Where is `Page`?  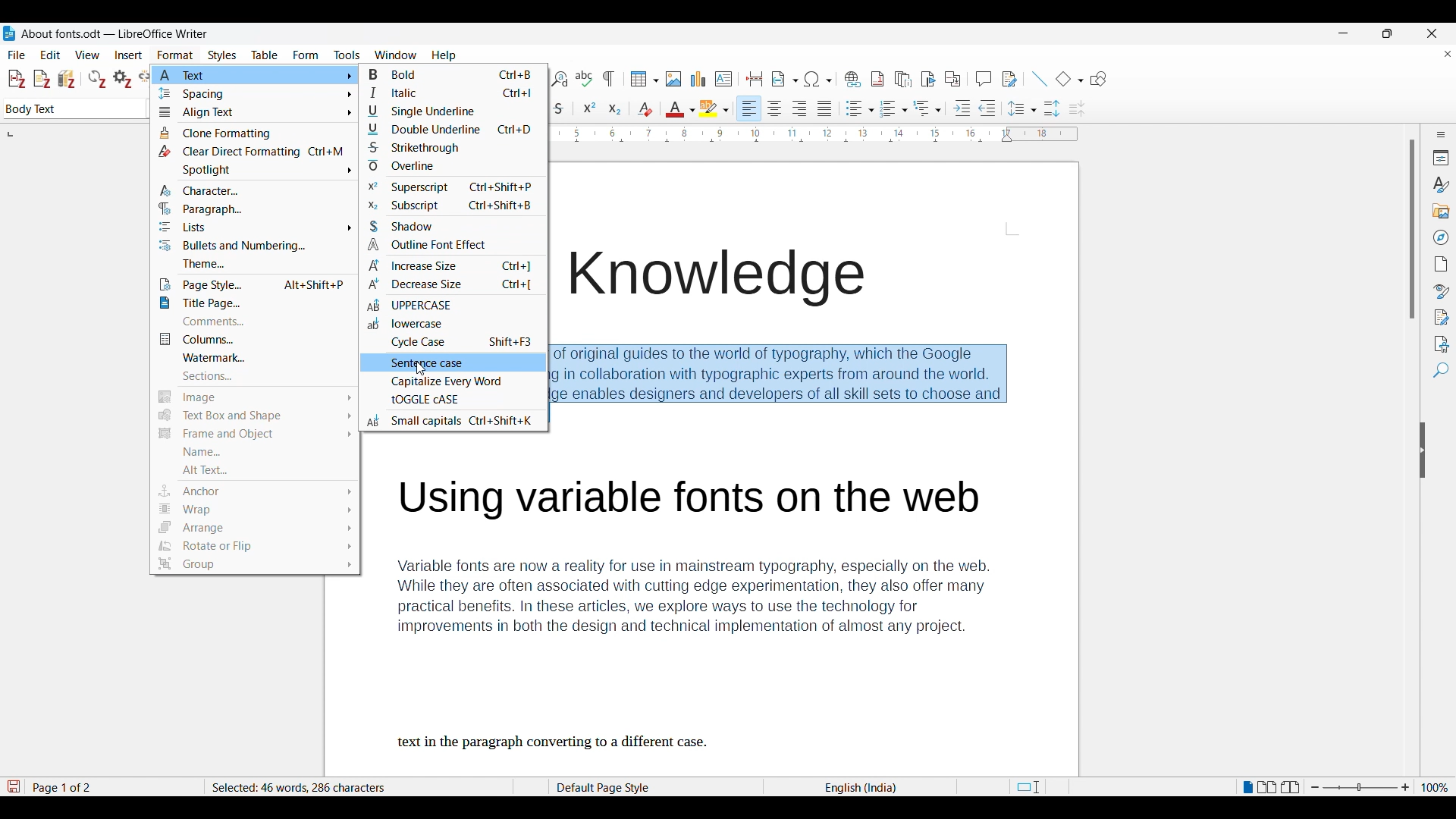
Page is located at coordinates (1442, 264).